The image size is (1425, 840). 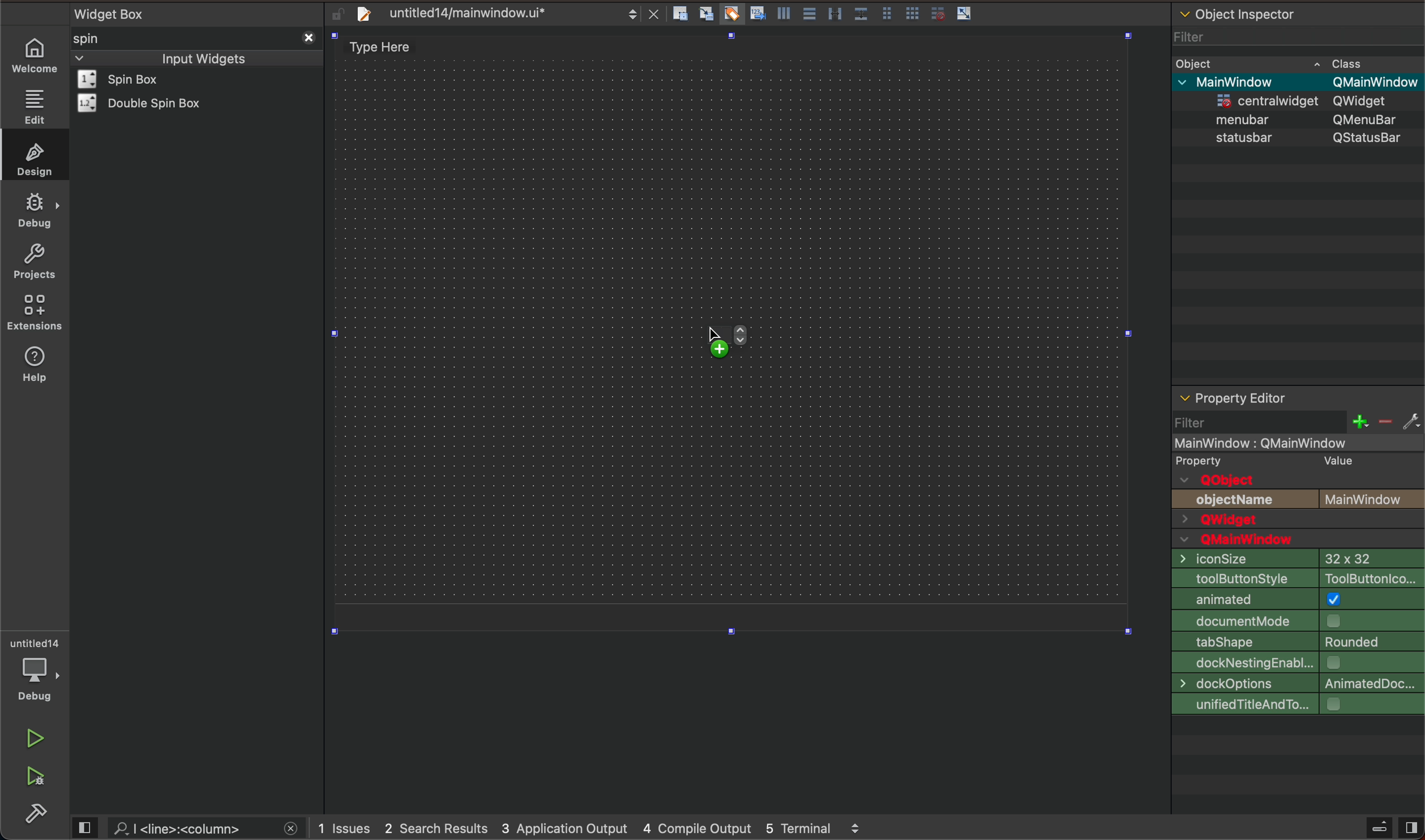 I want to click on text, so click(x=1373, y=499).